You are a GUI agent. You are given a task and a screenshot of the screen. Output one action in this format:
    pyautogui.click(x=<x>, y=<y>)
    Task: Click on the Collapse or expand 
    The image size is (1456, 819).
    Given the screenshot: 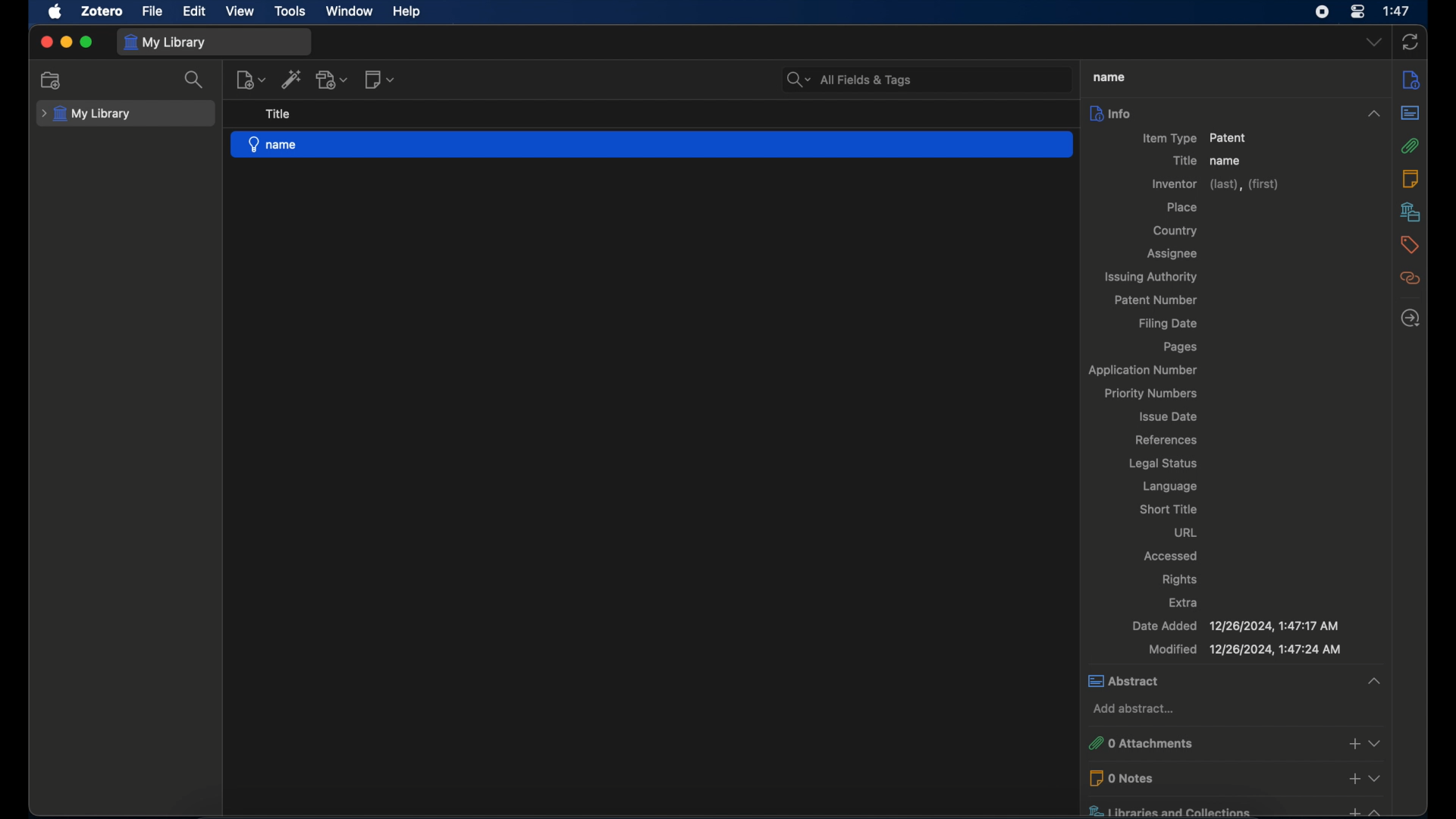 What is the action you would take?
    pyautogui.click(x=1377, y=777)
    